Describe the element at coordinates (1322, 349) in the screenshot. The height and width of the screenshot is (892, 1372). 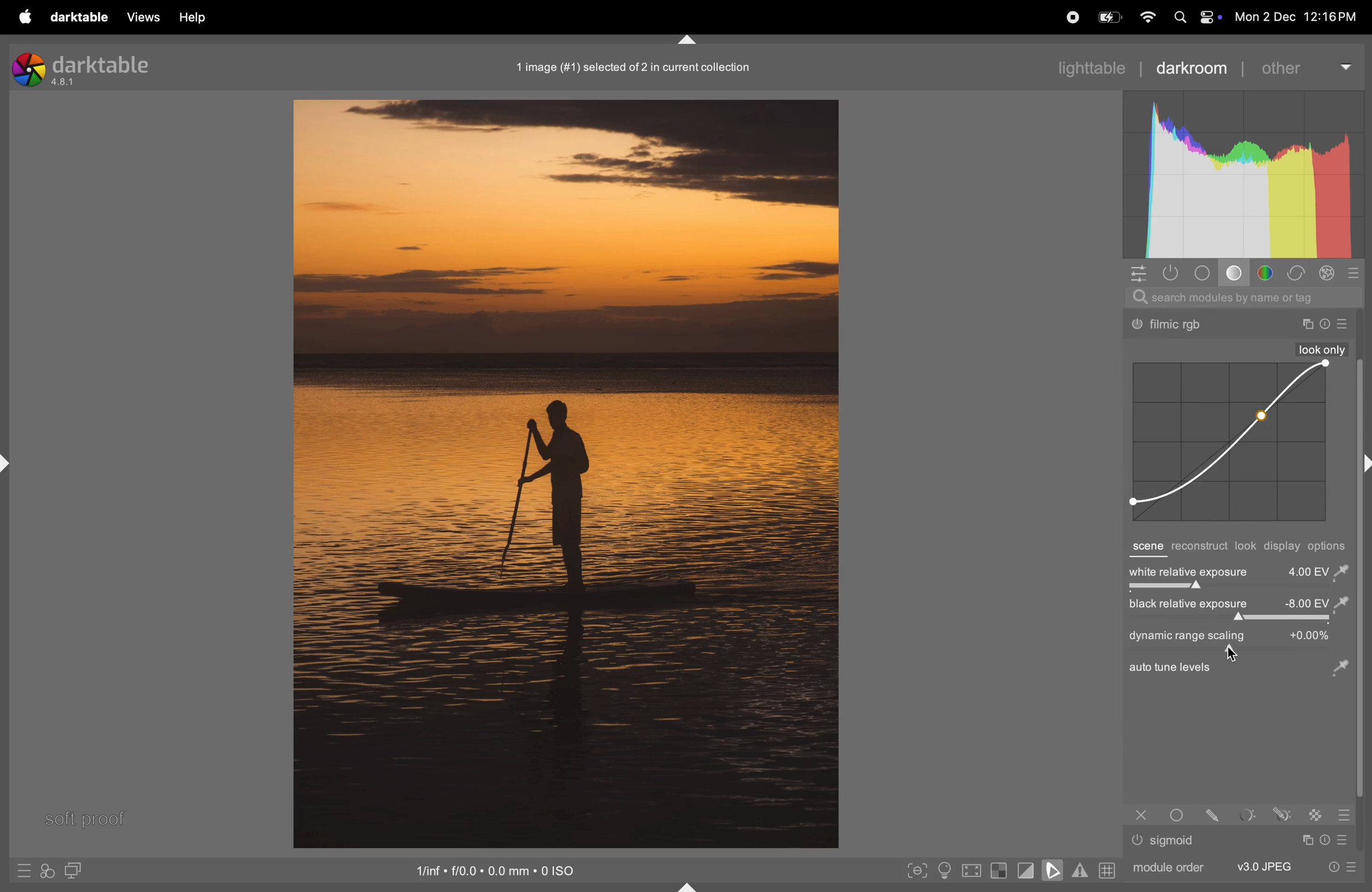
I see `` at that location.